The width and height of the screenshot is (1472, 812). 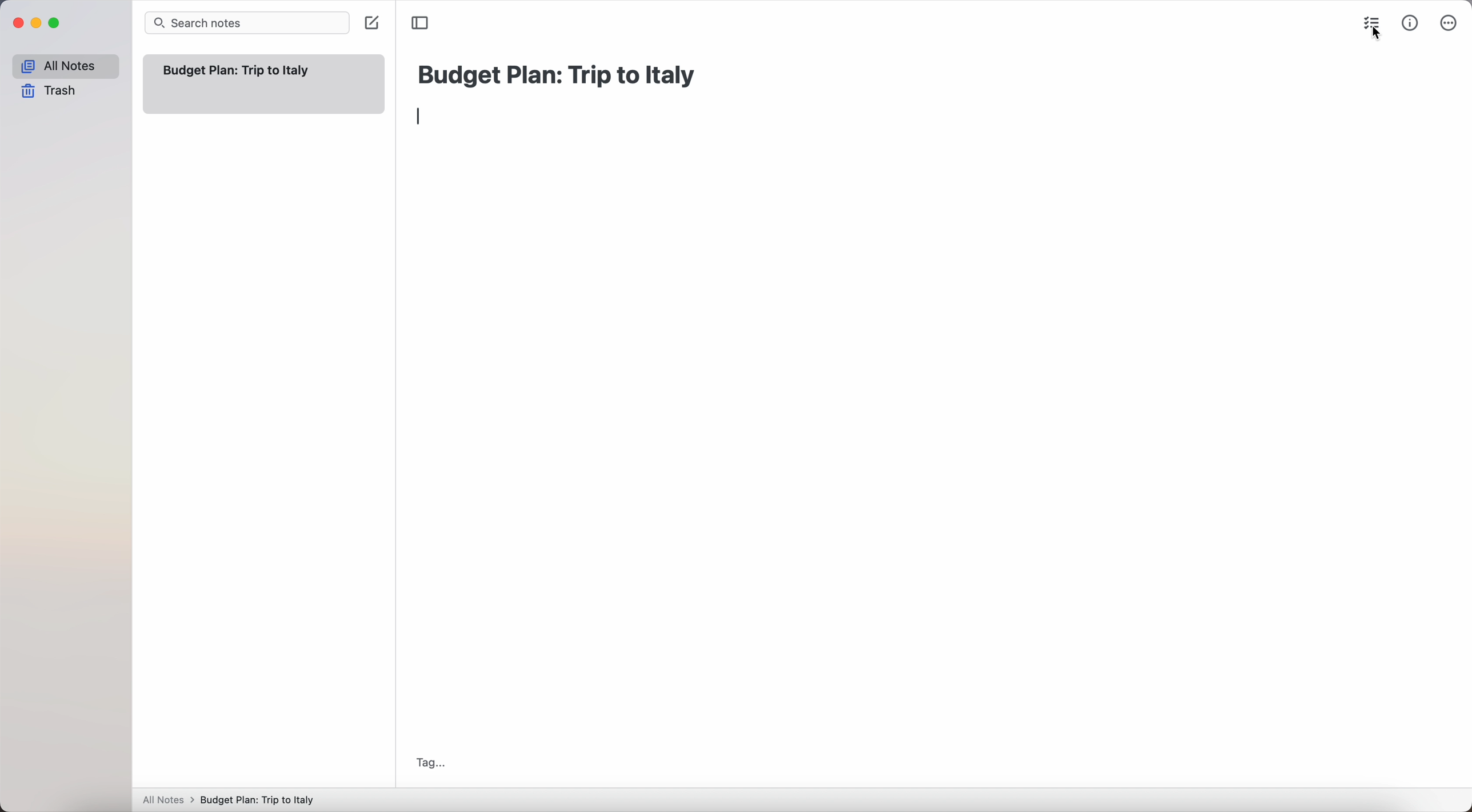 I want to click on minimize, so click(x=39, y=23).